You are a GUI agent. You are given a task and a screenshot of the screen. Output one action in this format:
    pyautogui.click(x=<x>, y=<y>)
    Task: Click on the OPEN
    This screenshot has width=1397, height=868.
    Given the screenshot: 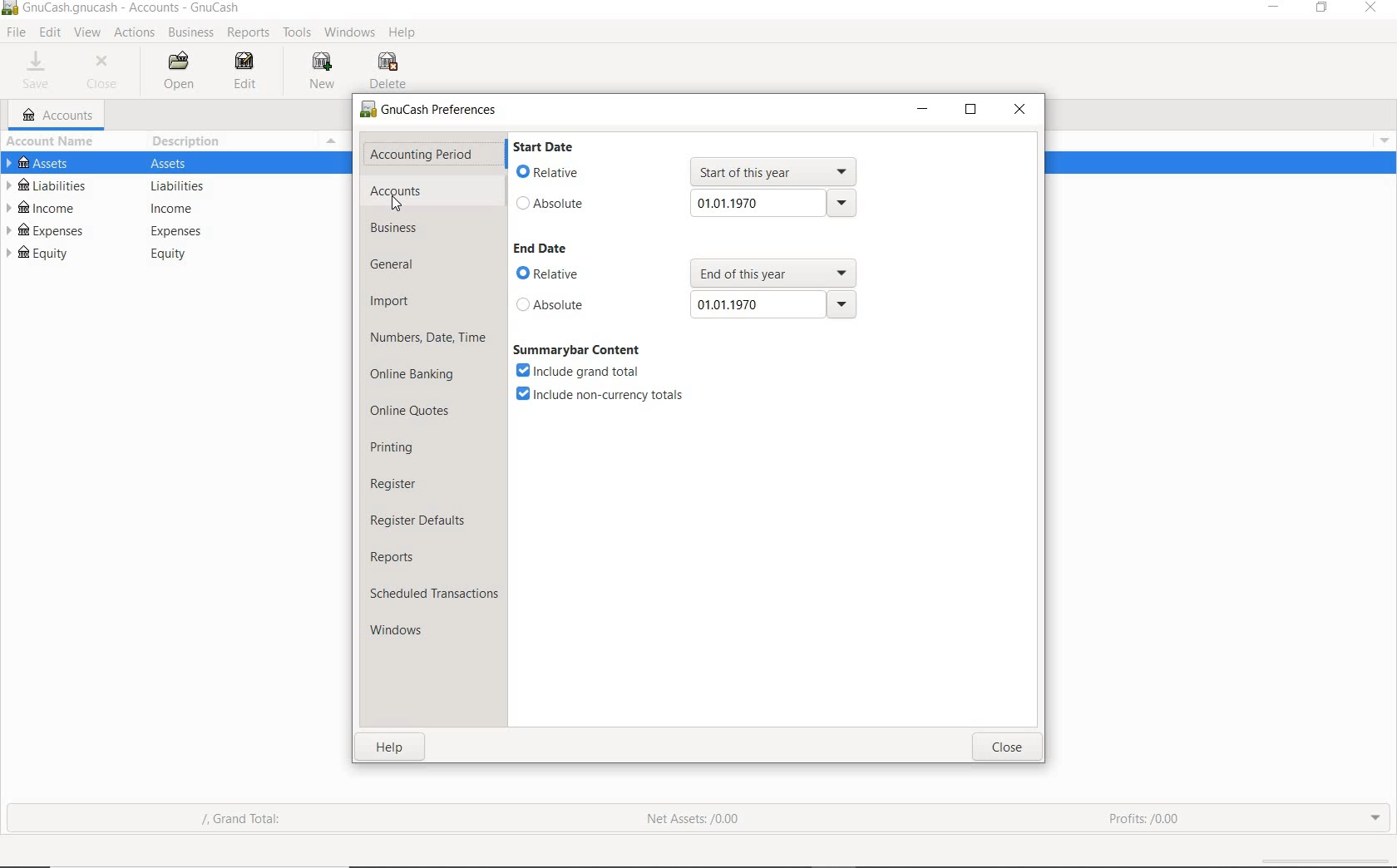 What is the action you would take?
    pyautogui.click(x=182, y=72)
    